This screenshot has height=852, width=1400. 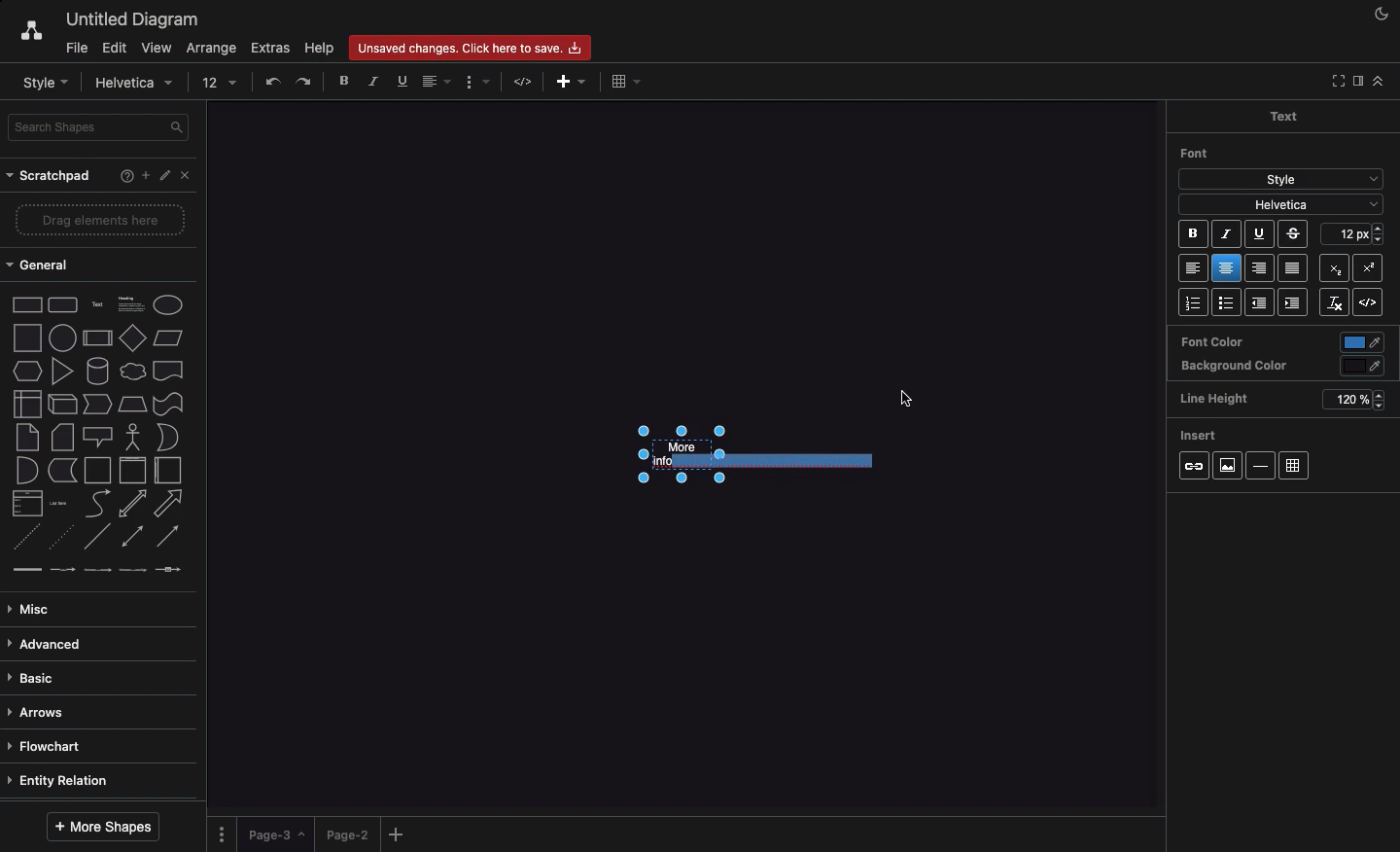 What do you see at coordinates (208, 49) in the screenshot?
I see `Arrange` at bounding box center [208, 49].